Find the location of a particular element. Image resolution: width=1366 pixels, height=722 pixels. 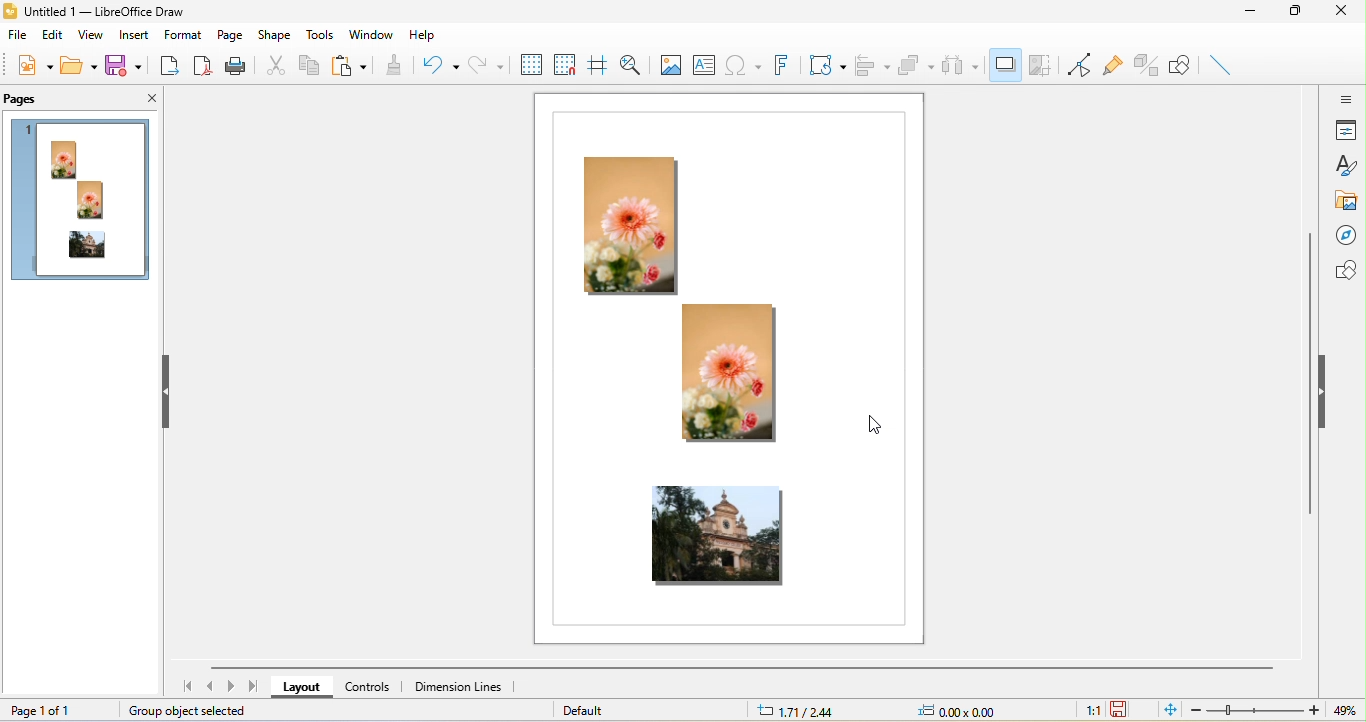

export is located at coordinates (168, 69).